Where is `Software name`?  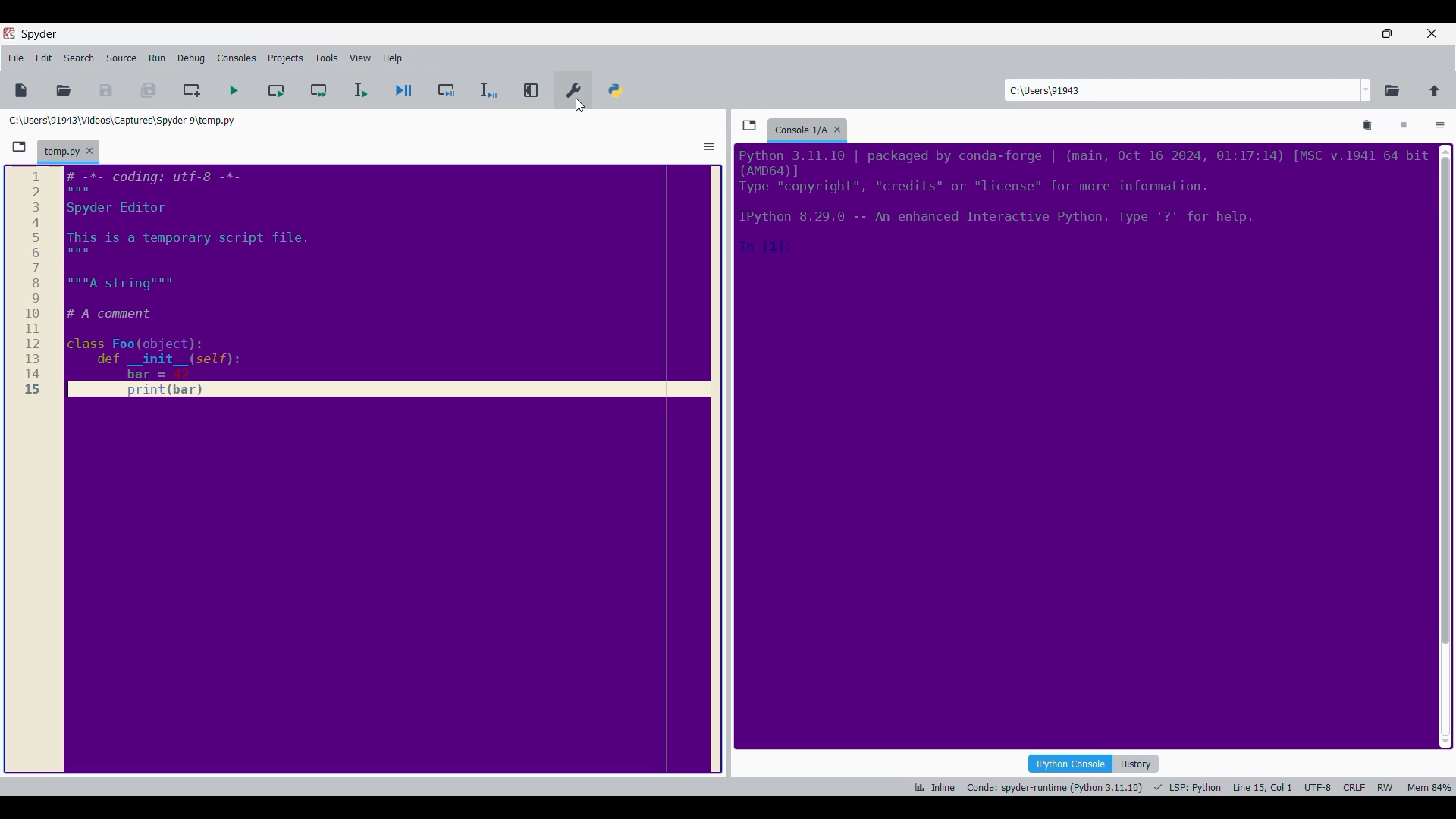 Software name is located at coordinates (39, 35).